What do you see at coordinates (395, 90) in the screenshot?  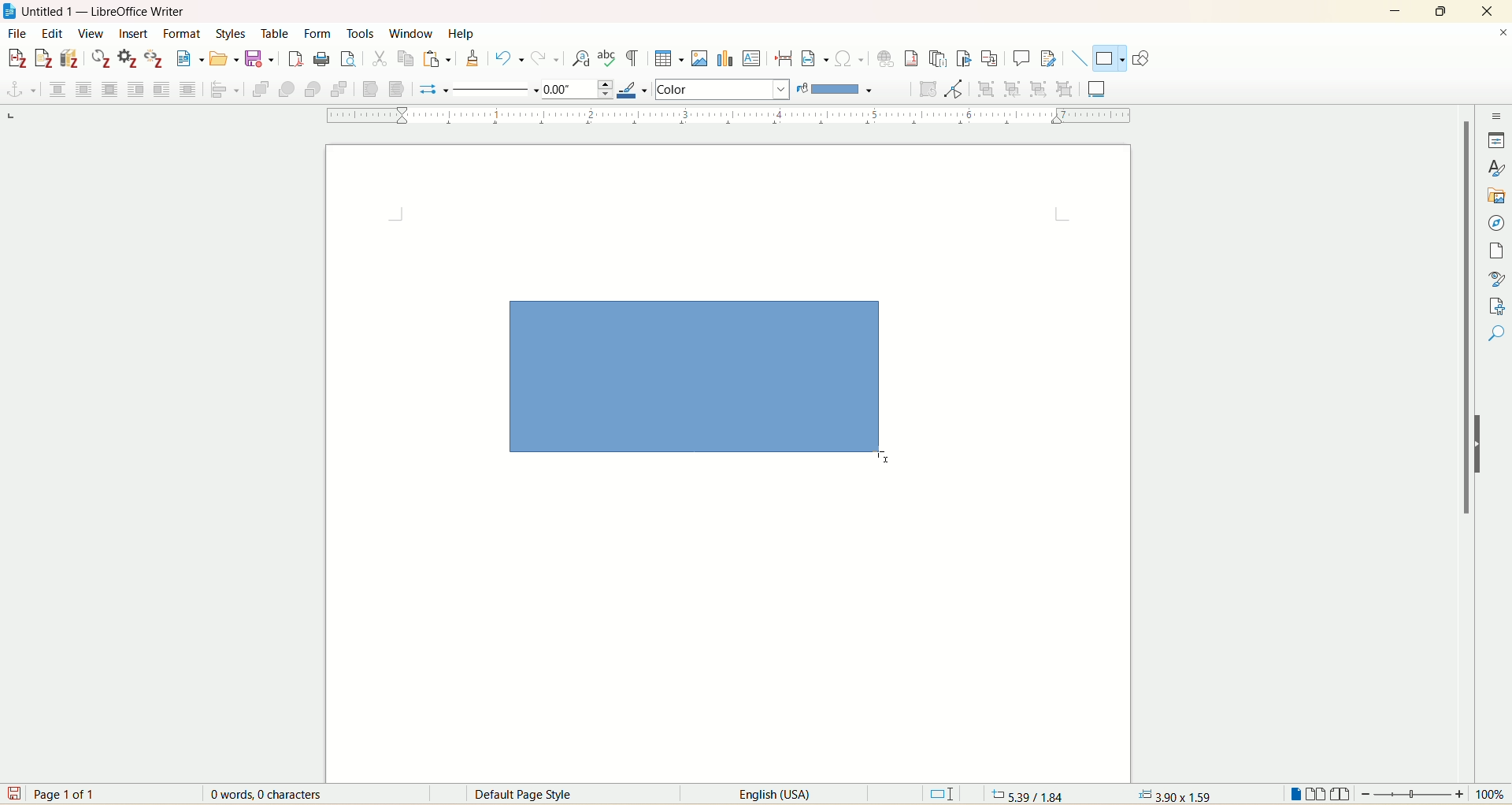 I see `to background` at bounding box center [395, 90].